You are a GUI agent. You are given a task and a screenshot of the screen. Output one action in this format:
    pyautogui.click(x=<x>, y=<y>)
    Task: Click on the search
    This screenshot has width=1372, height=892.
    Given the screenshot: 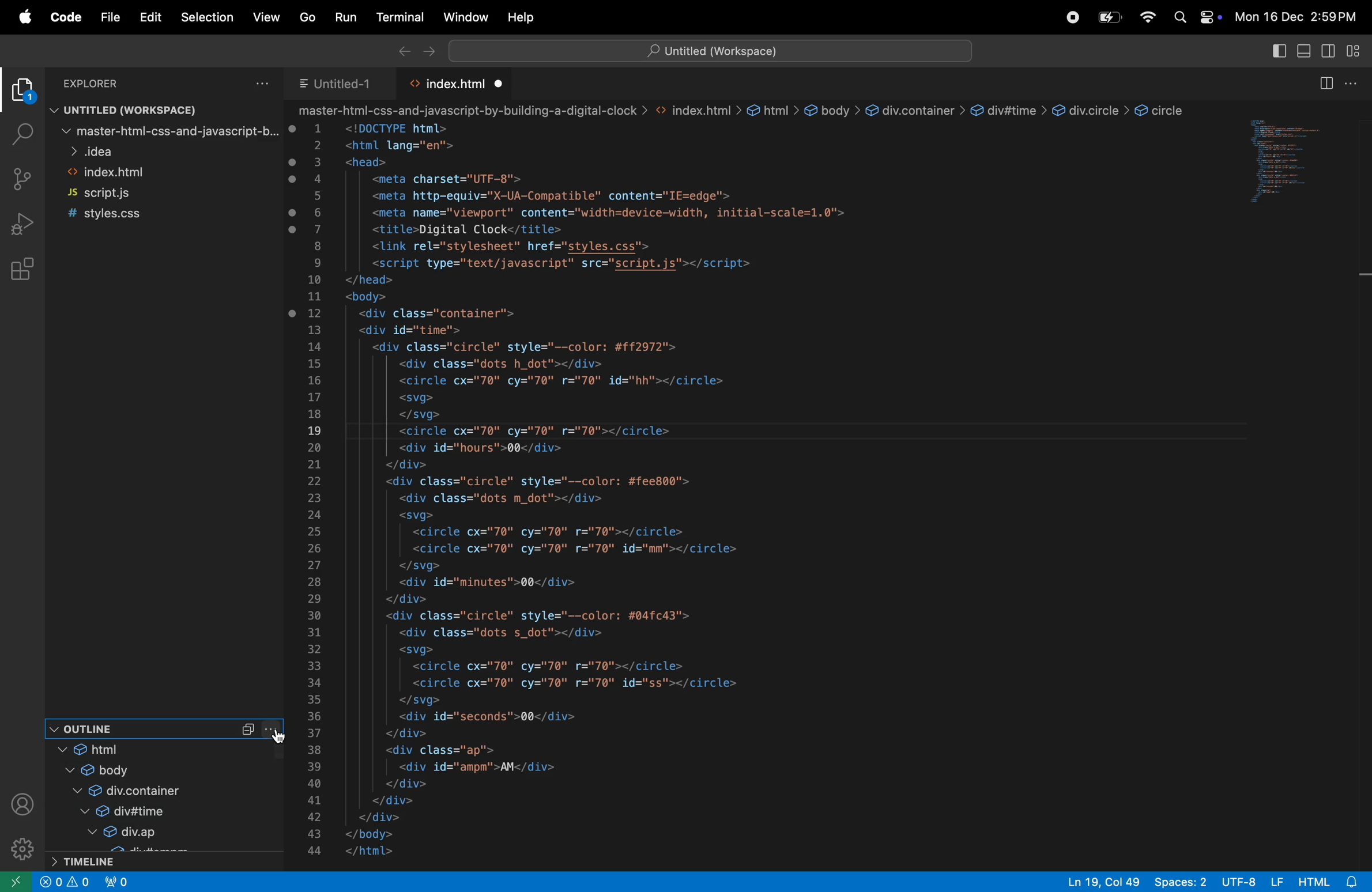 What is the action you would take?
    pyautogui.click(x=1179, y=19)
    